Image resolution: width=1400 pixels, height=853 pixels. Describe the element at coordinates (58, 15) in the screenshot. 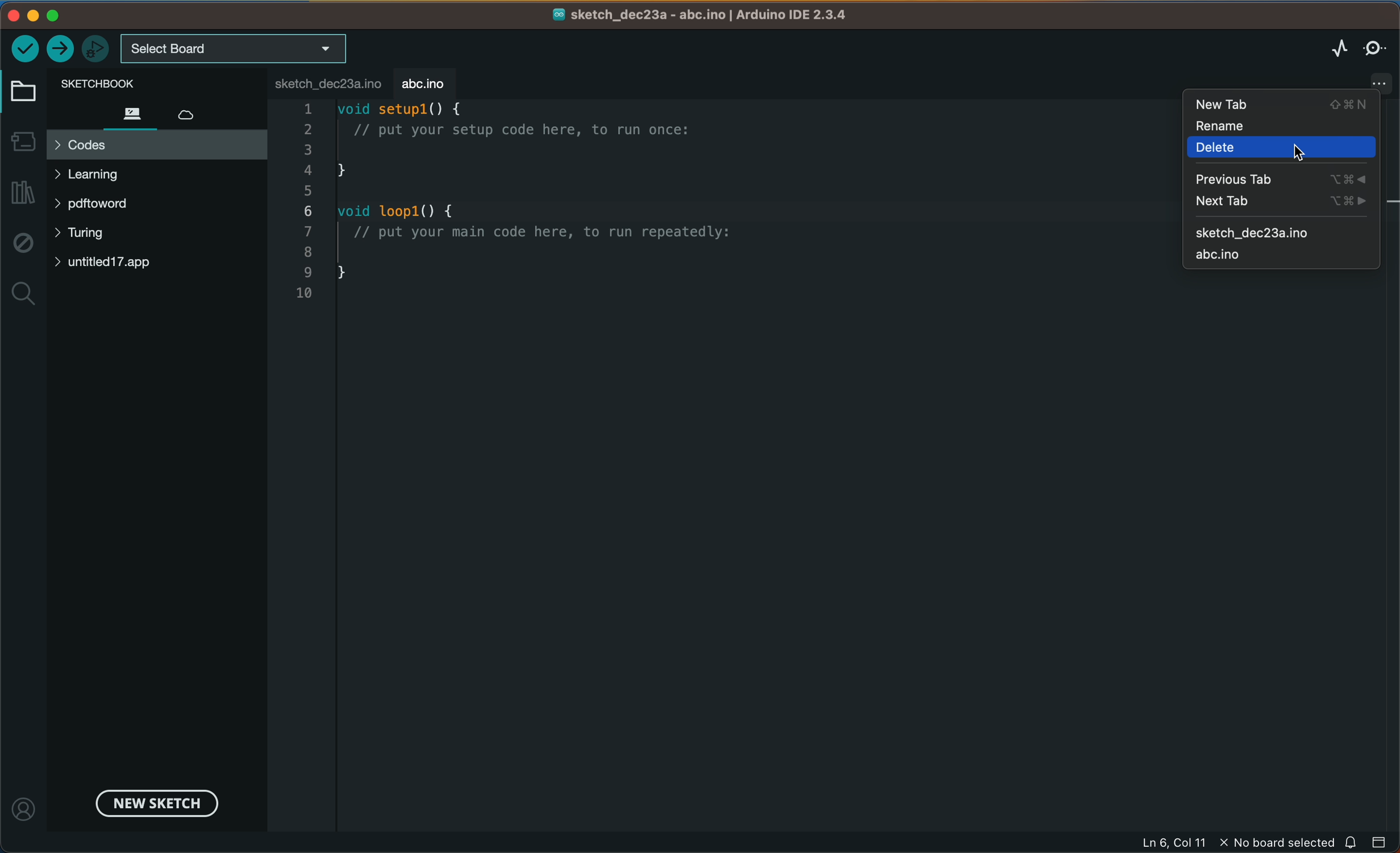

I see `windows control` at that location.